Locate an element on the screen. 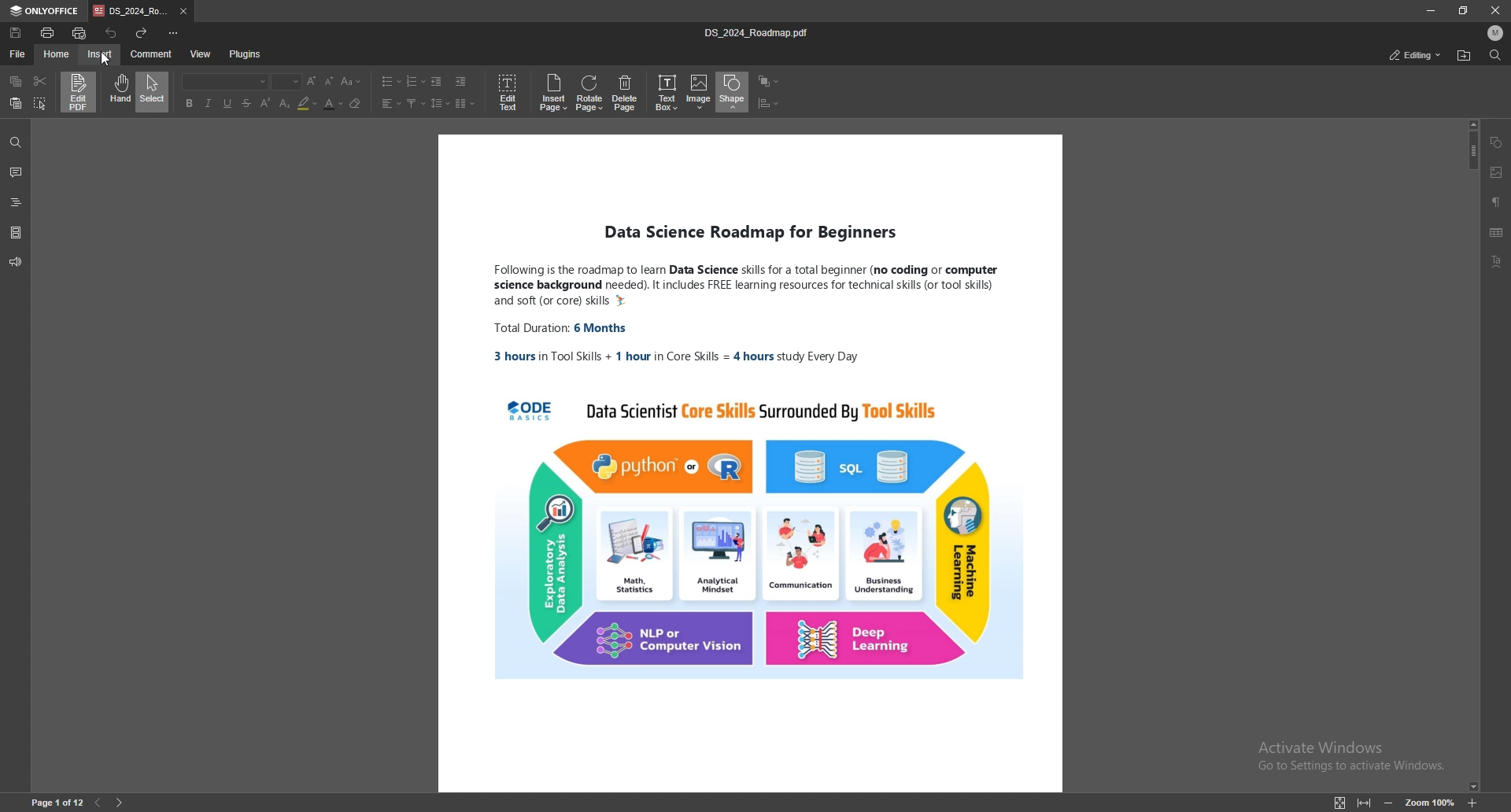 This screenshot has width=1511, height=812. erase is located at coordinates (356, 103).